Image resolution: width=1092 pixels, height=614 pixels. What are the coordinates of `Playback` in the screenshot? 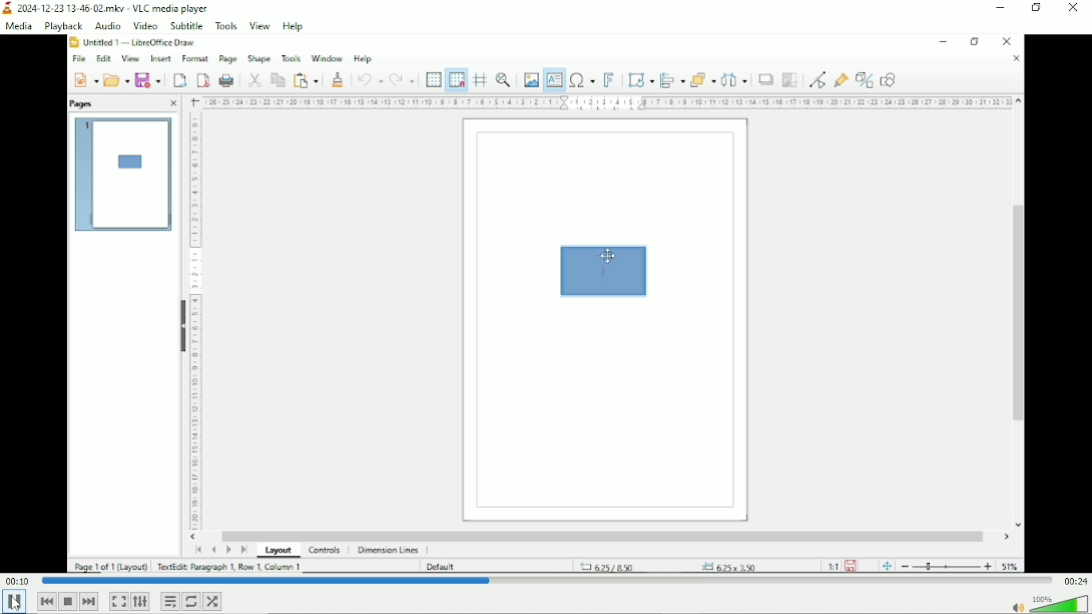 It's located at (62, 26).